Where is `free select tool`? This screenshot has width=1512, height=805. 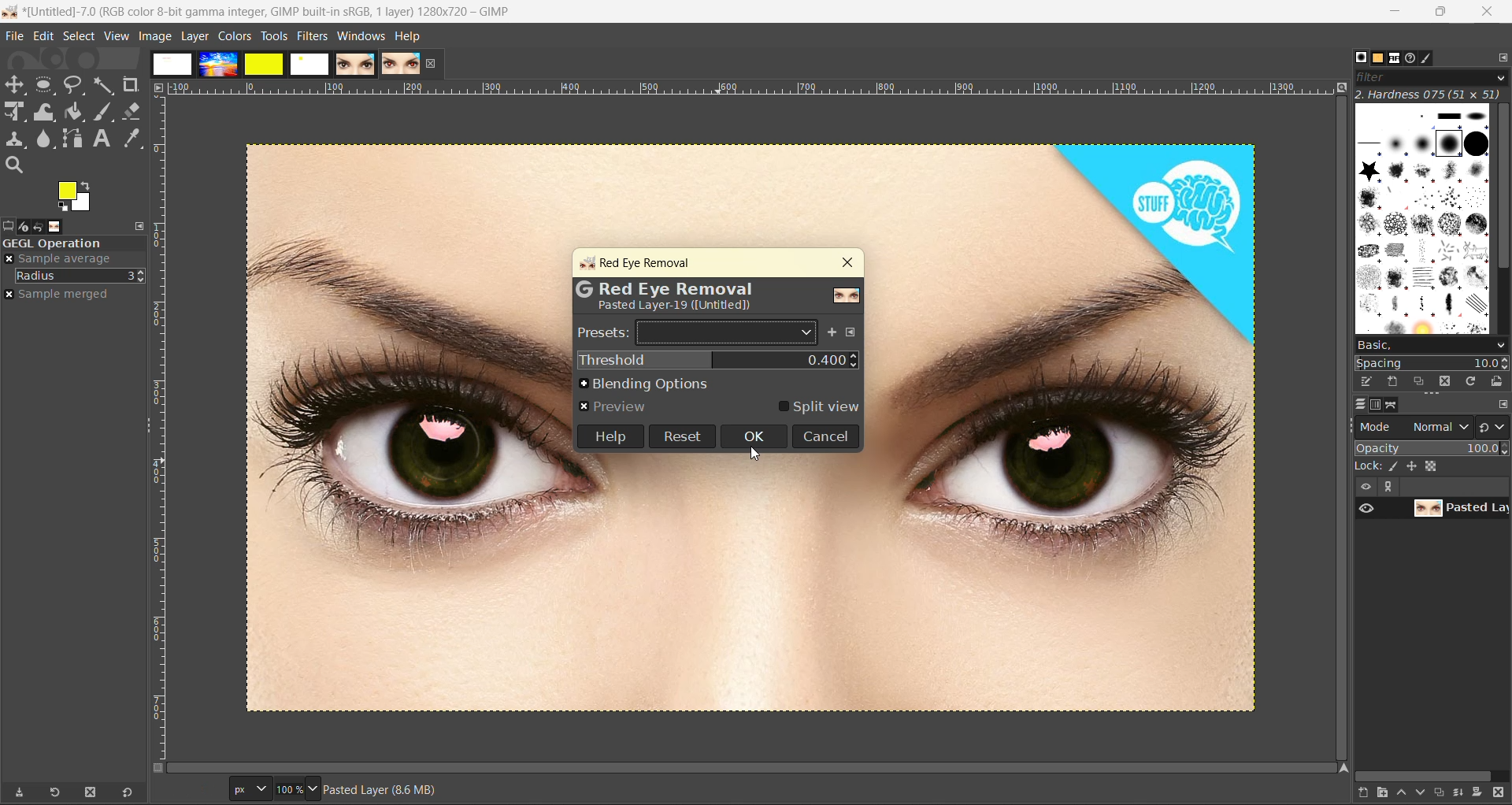 free select tool is located at coordinates (75, 86).